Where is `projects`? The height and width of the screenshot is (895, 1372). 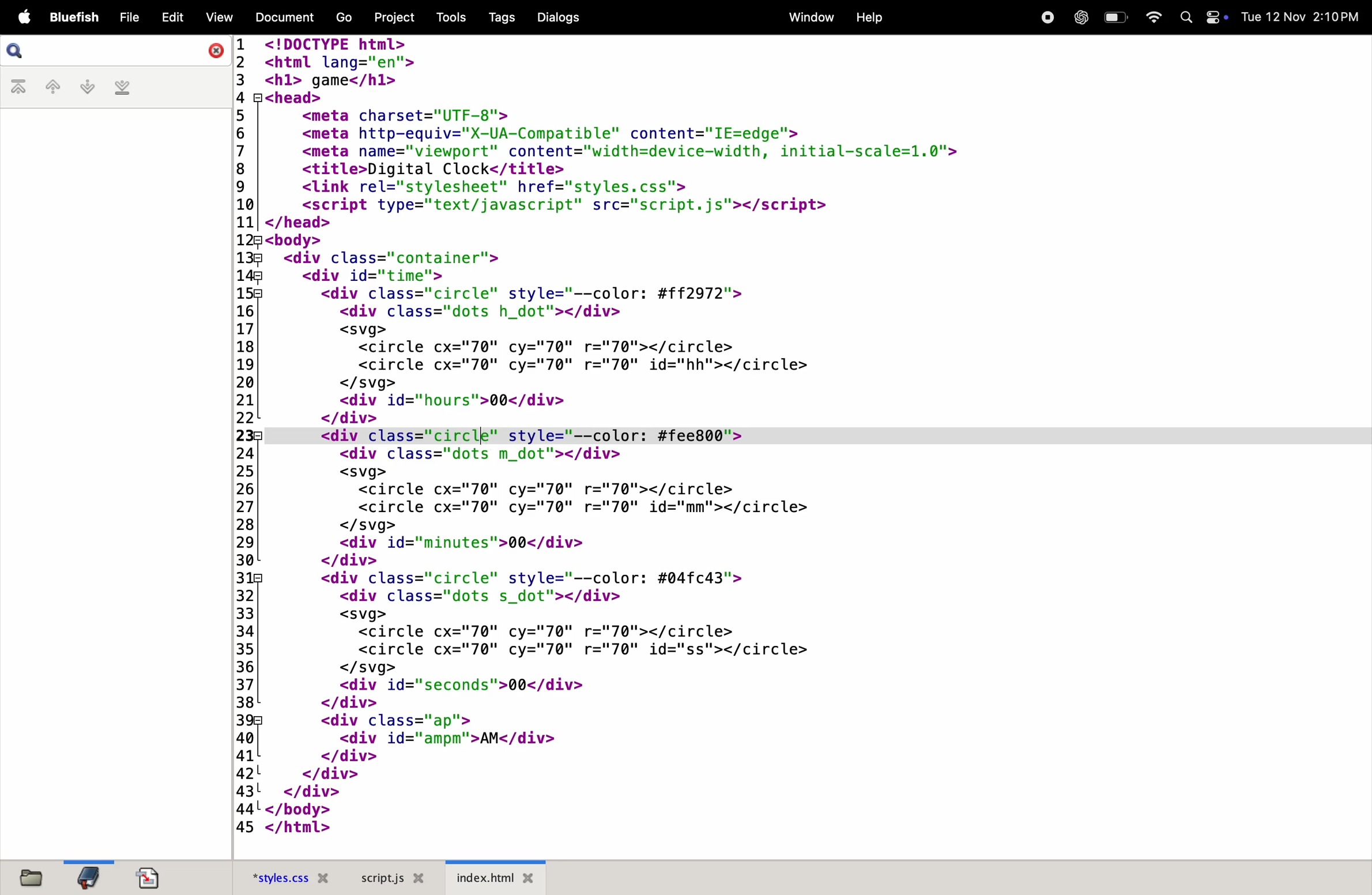
projects is located at coordinates (390, 17).